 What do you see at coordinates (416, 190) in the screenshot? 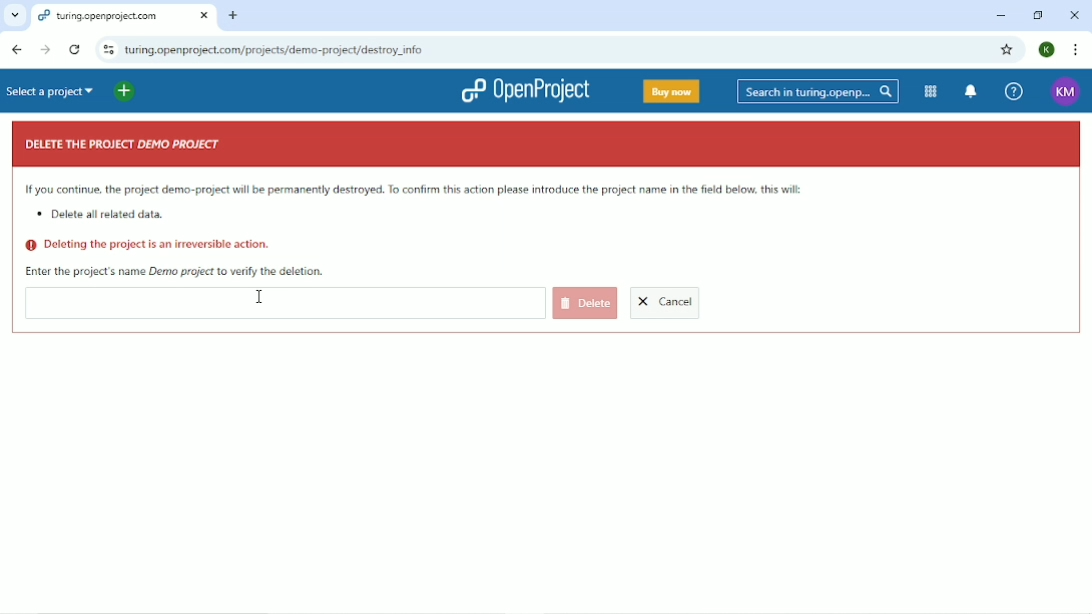
I see `If you continue the project demo-project will be permanently destroyed. To confirm this action please introduce the project name below. This will:` at bounding box center [416, 190].